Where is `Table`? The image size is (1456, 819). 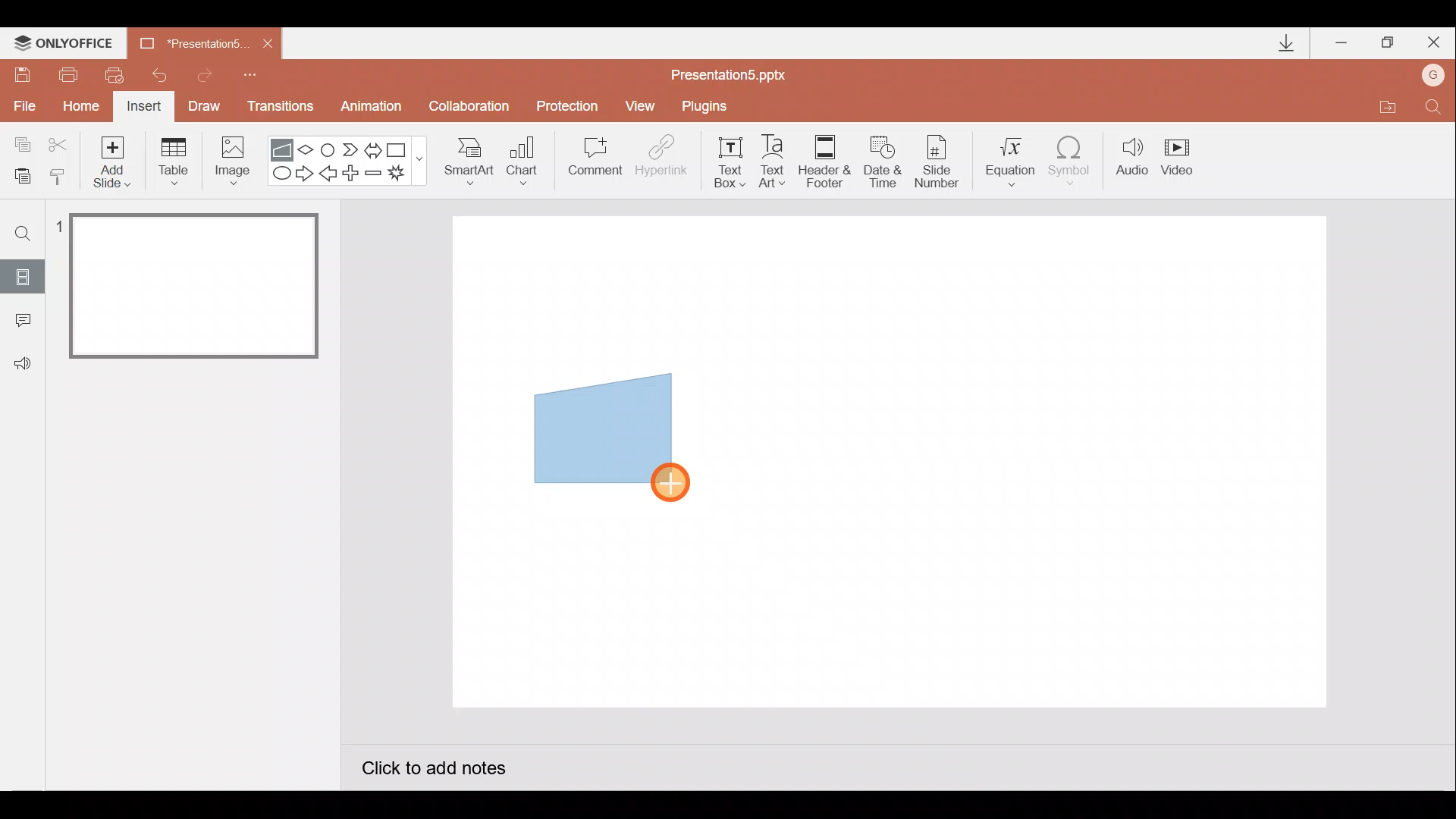
Table is located at coordinates (172, 160).